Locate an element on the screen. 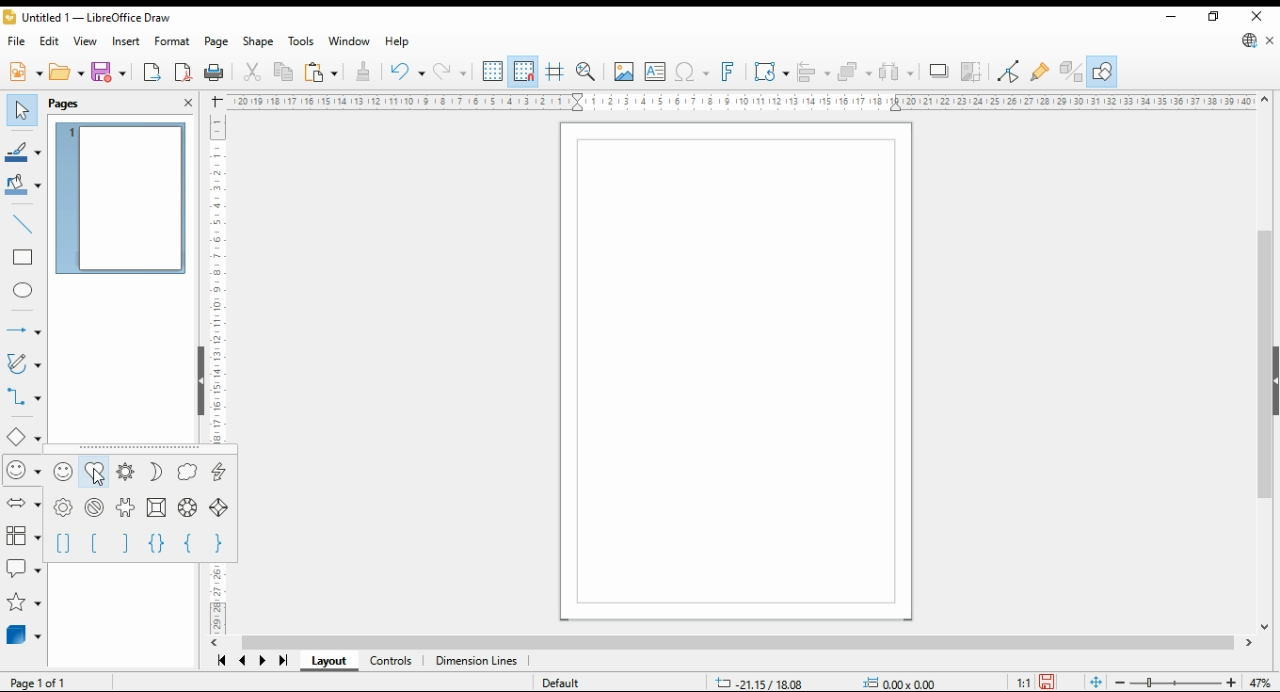 This screenshot has width=1280, height=692. Default is located at coordinates (563, 678).